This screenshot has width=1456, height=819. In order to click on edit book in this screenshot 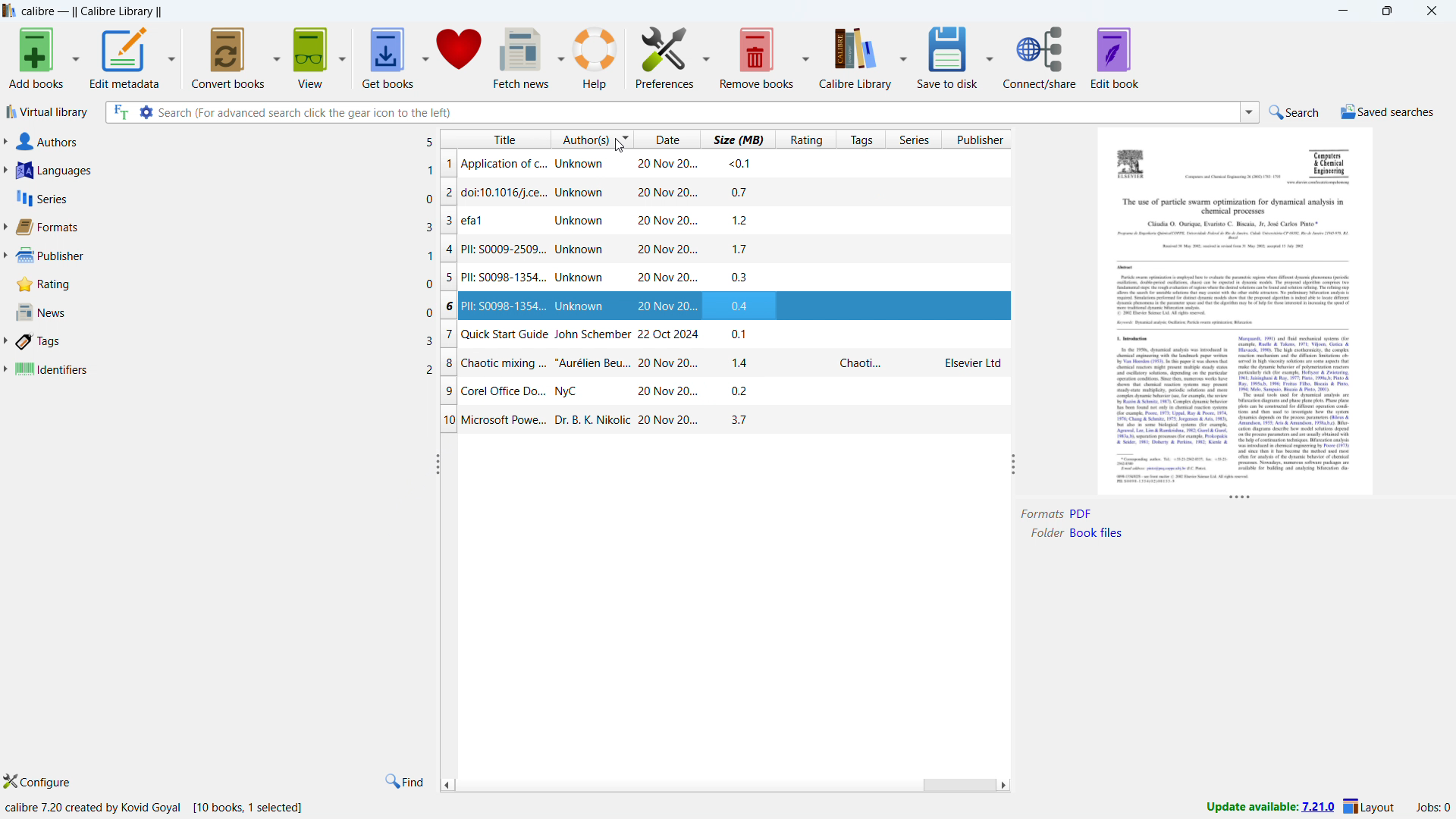, I will do `click(1115, 58)`.